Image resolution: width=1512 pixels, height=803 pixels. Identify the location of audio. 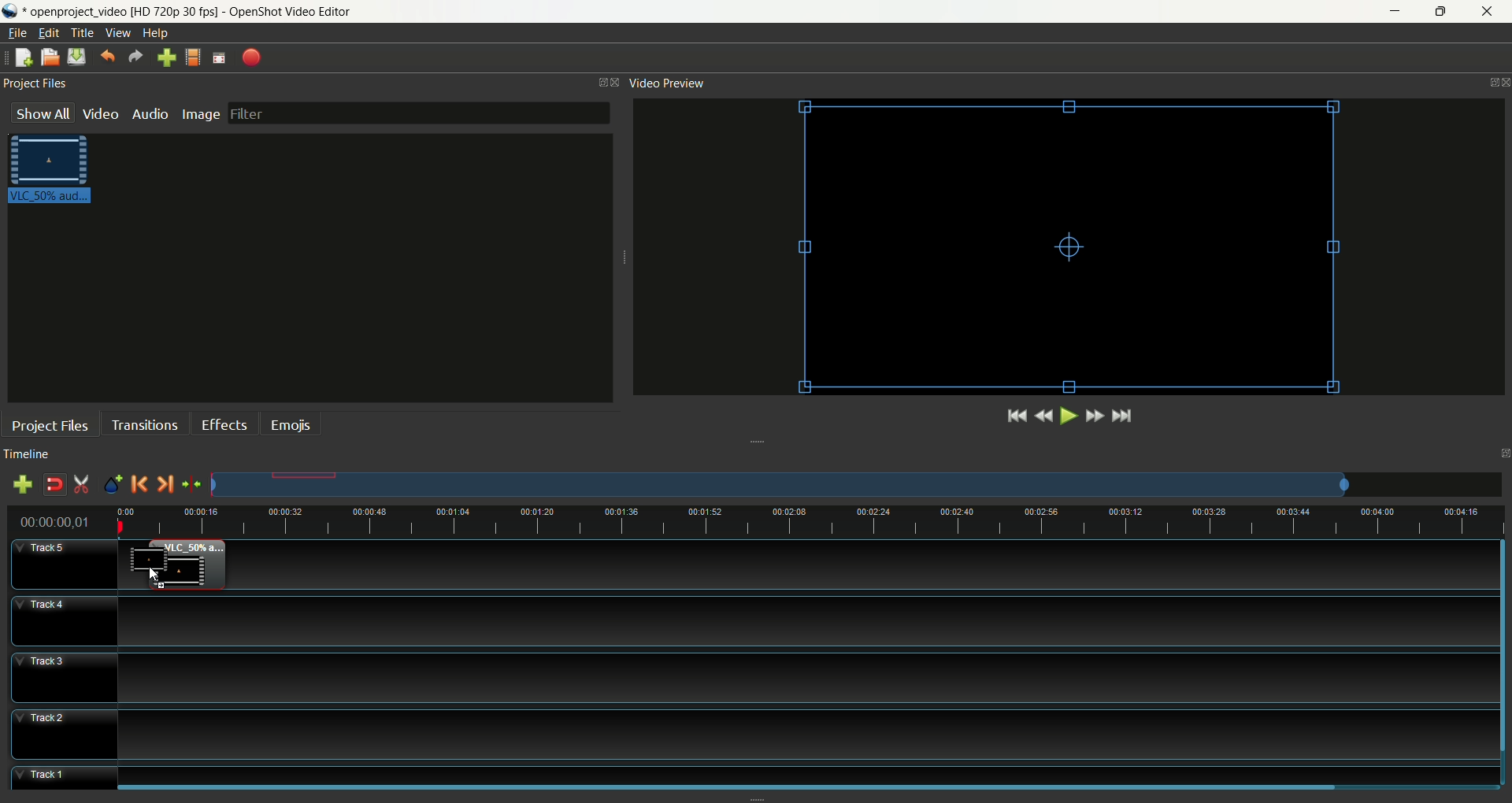
(149, 114).